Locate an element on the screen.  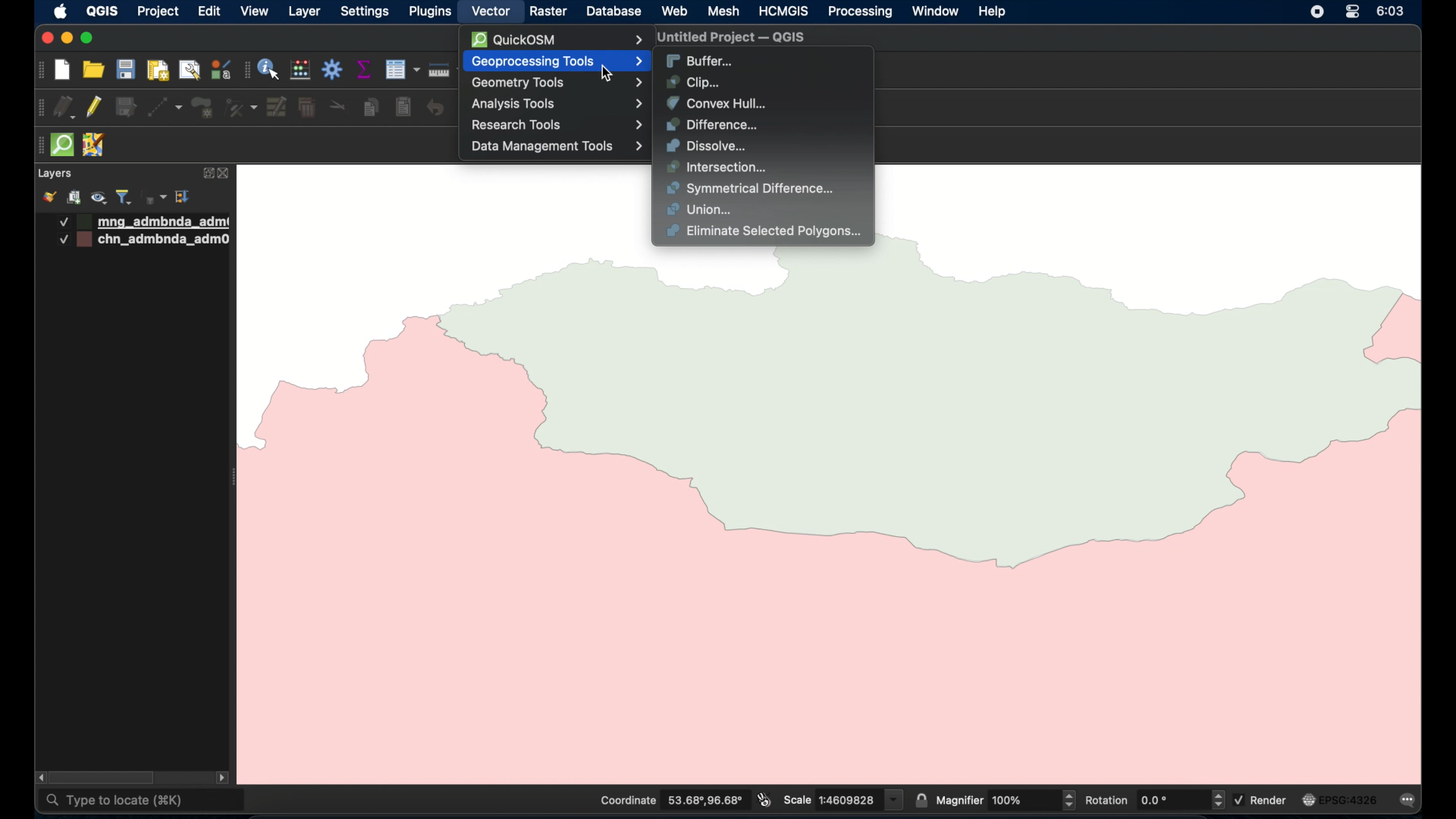
styling manager is located at coordinates (220, 69).